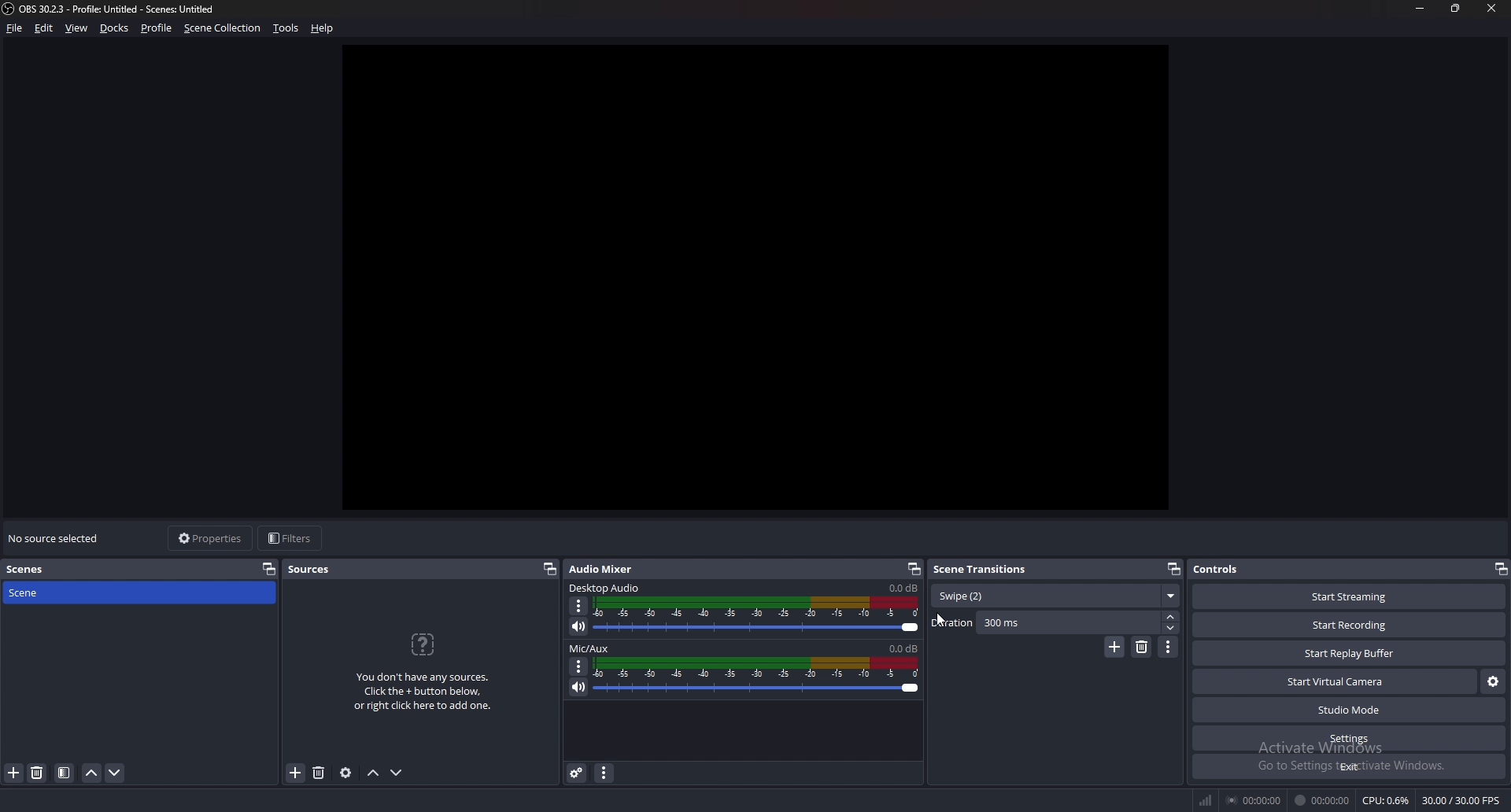 The width and height of the screenshot is (1511, 812). What do you see at coordinates (158, 28) in the screenshot?
I see `profile` at bounding box center [158, 28].